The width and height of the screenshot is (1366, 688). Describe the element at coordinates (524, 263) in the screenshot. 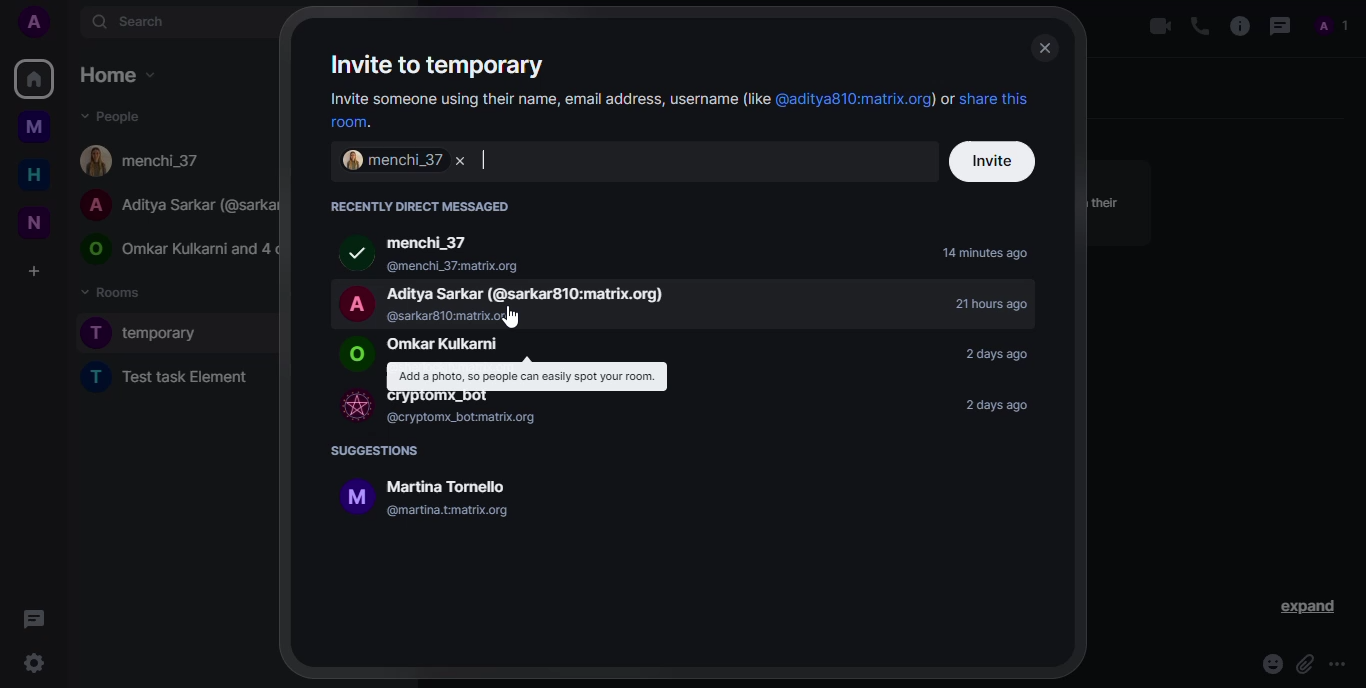

I see `@menchi_37:matrix.org` at that location.